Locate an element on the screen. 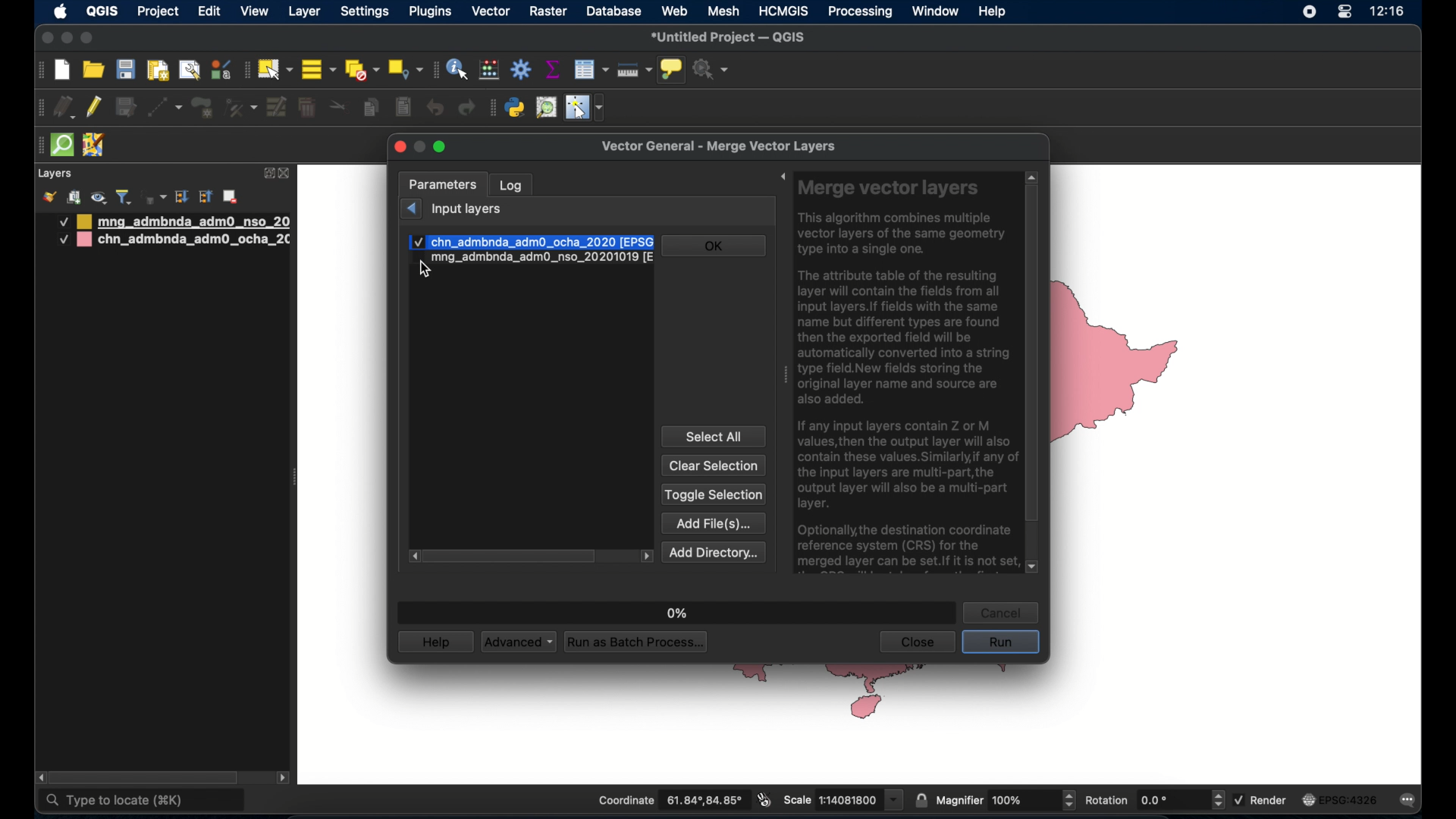 The height and width of the screenshot is (819, 1456). close is located at coordinates (400, 148).